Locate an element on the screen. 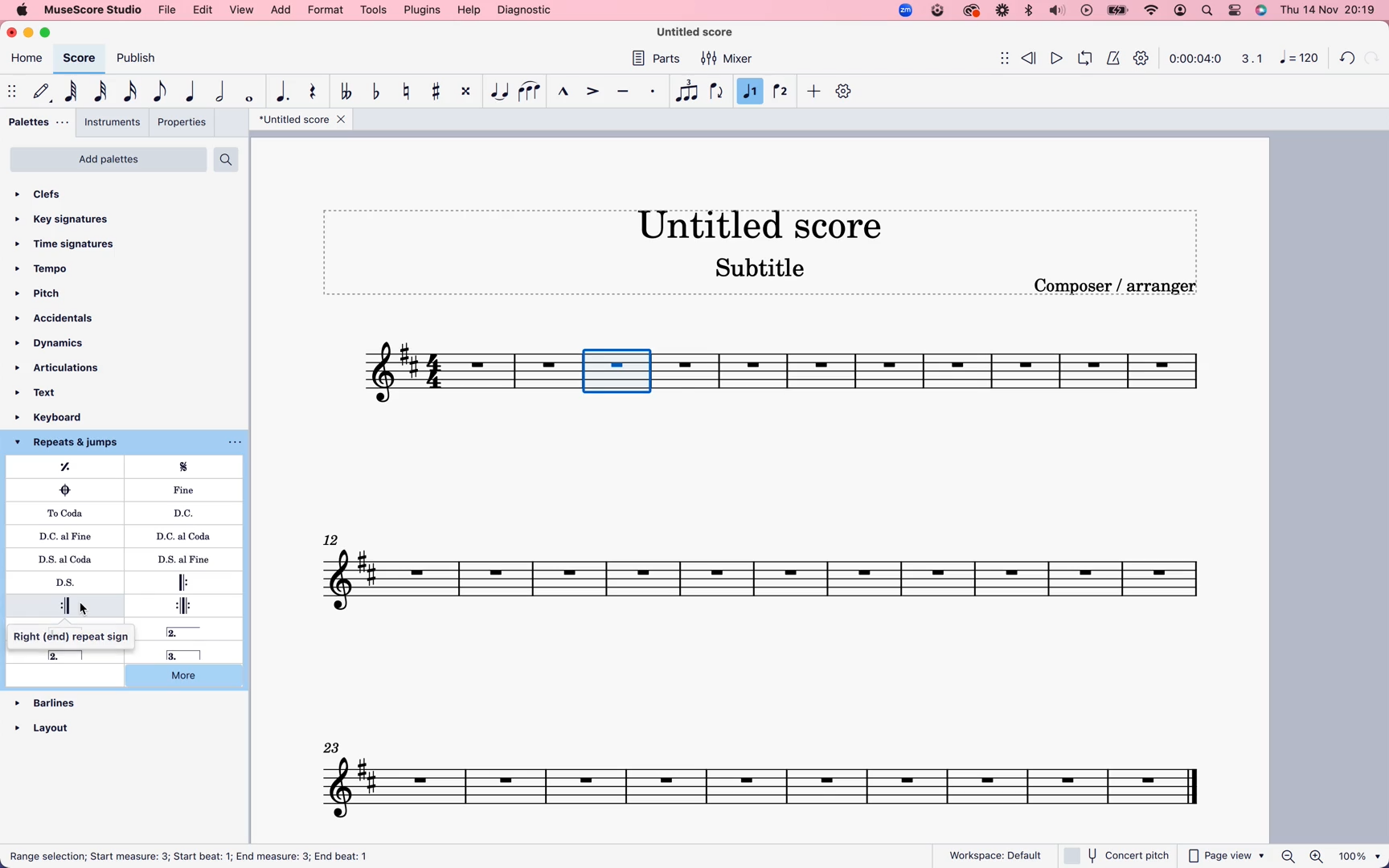 The height and width of the screenshot is (868, 1389). properties is located at coordinates (181, 122).